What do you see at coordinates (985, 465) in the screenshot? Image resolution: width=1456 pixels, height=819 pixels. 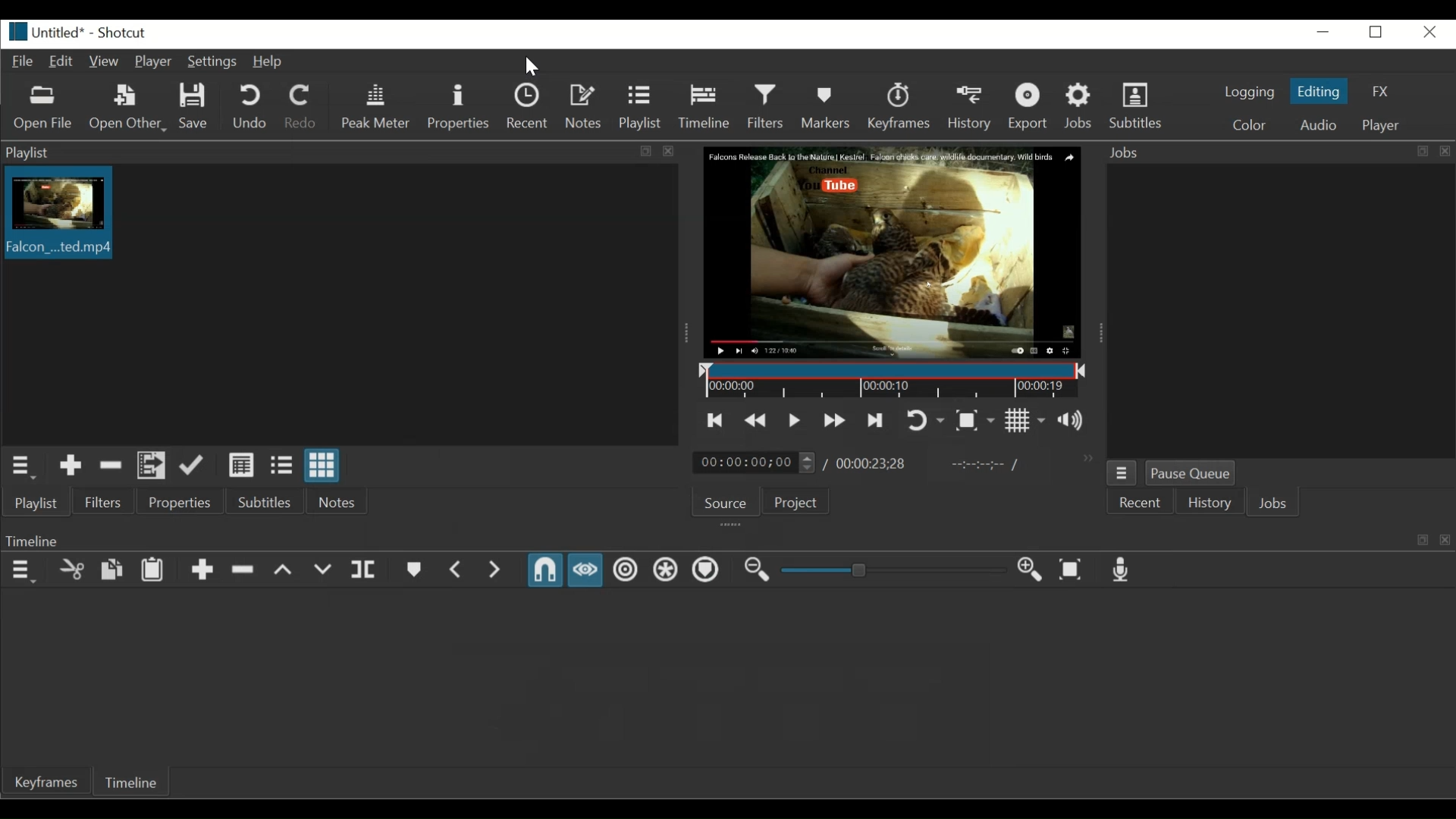 I see `In point` at bounding box center [985, 465].